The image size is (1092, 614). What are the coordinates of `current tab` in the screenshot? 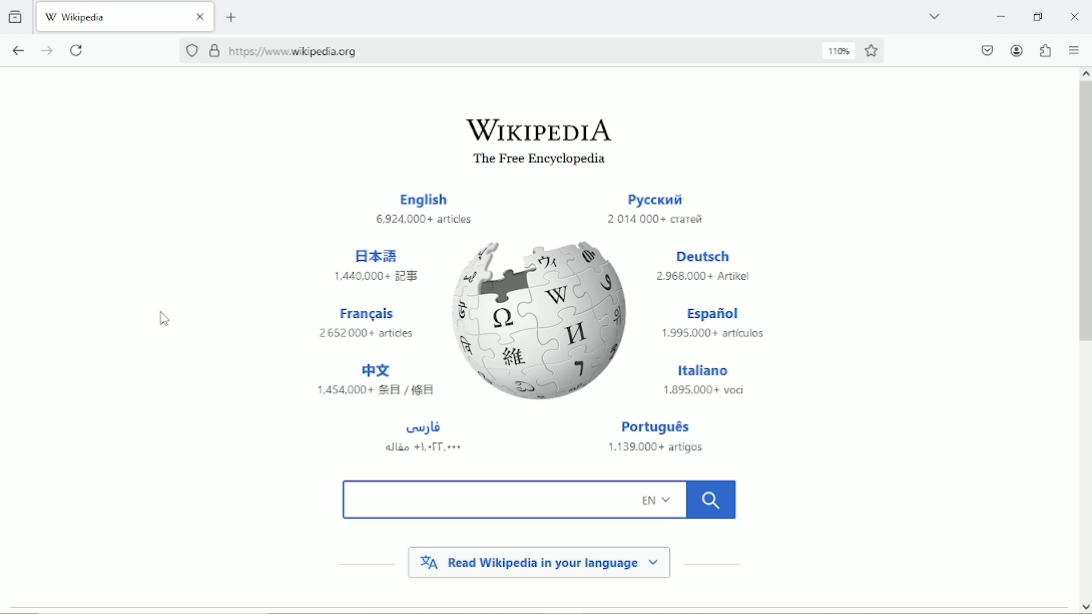 It's located at (125, 16).